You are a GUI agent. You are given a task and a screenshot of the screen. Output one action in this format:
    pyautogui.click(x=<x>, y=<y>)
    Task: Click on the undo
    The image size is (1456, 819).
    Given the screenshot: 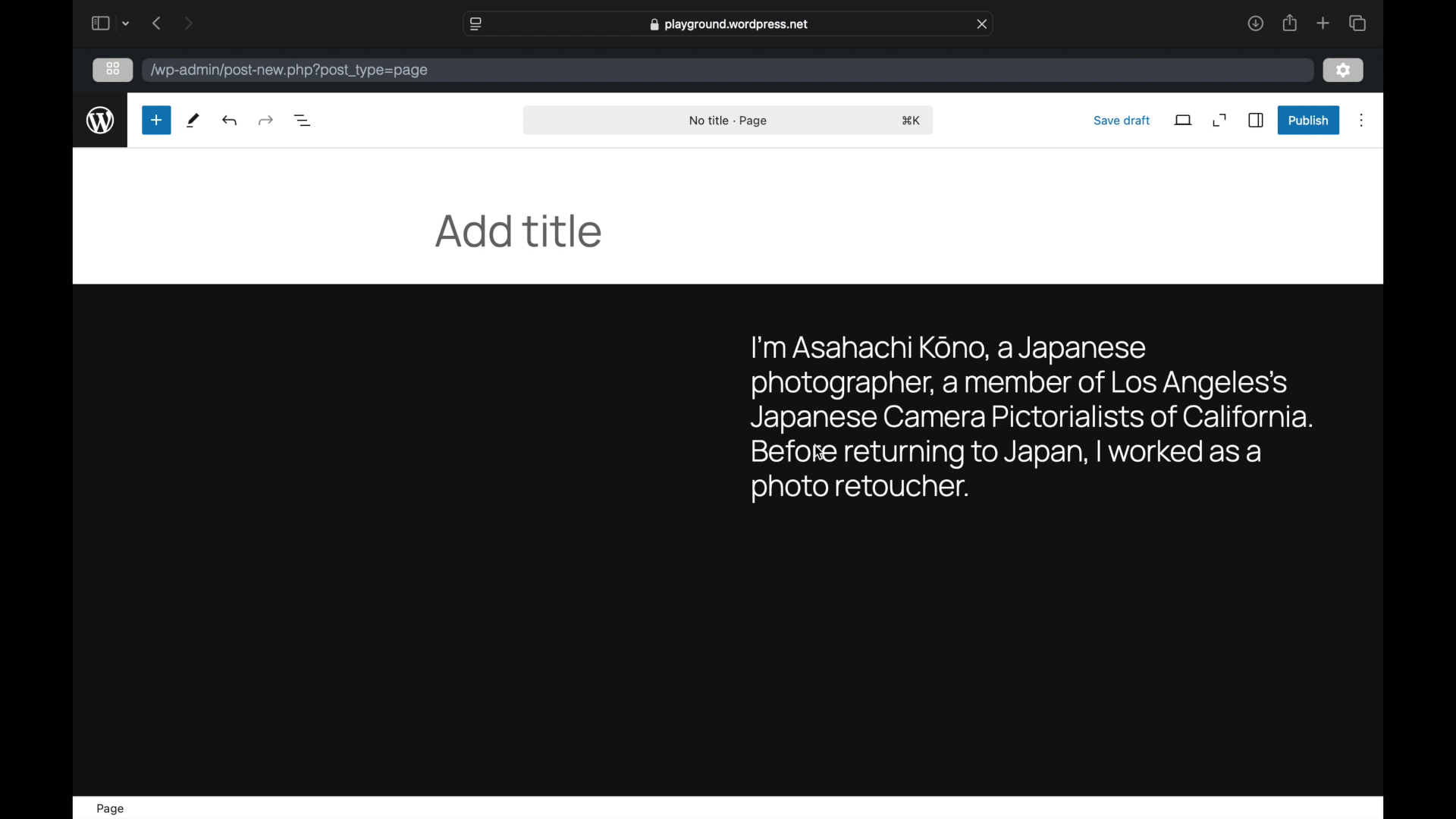 What is the action you would take?
    pyautogui.click(x=265, y=120)
    